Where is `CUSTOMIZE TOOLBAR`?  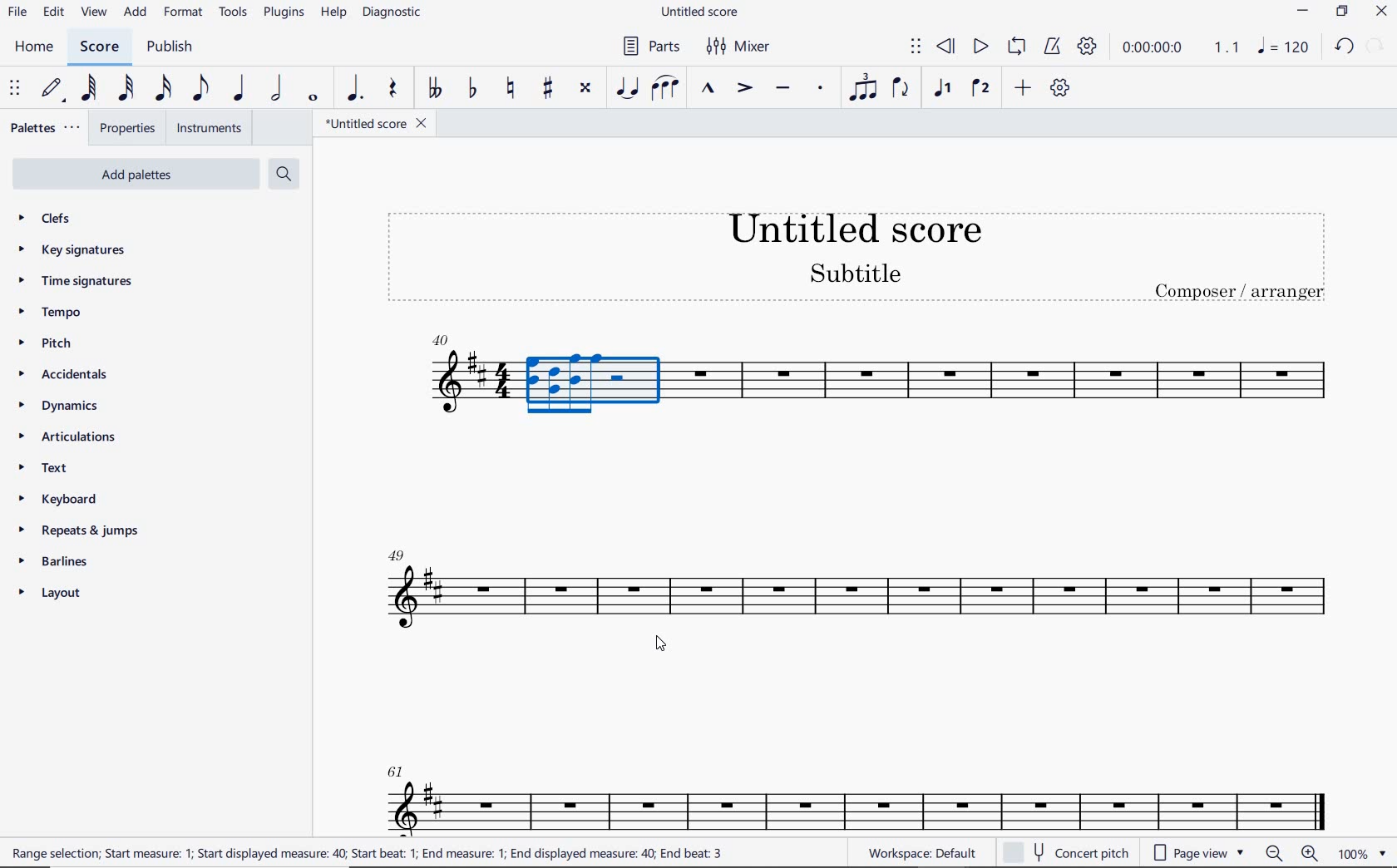
CUSTOMIZE TOOLBAR is located at coordinates (1060, 88).